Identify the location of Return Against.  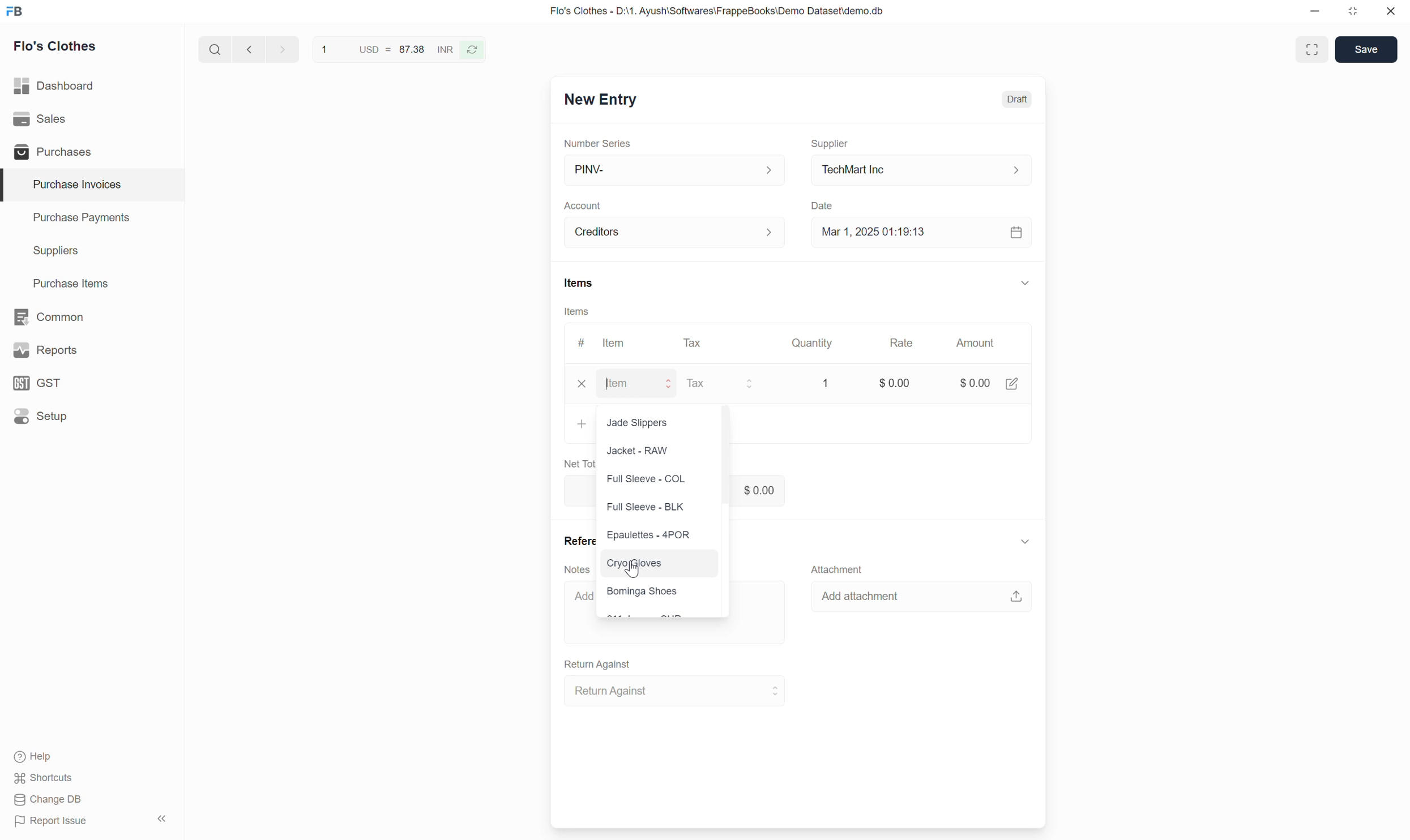
(605, 663).